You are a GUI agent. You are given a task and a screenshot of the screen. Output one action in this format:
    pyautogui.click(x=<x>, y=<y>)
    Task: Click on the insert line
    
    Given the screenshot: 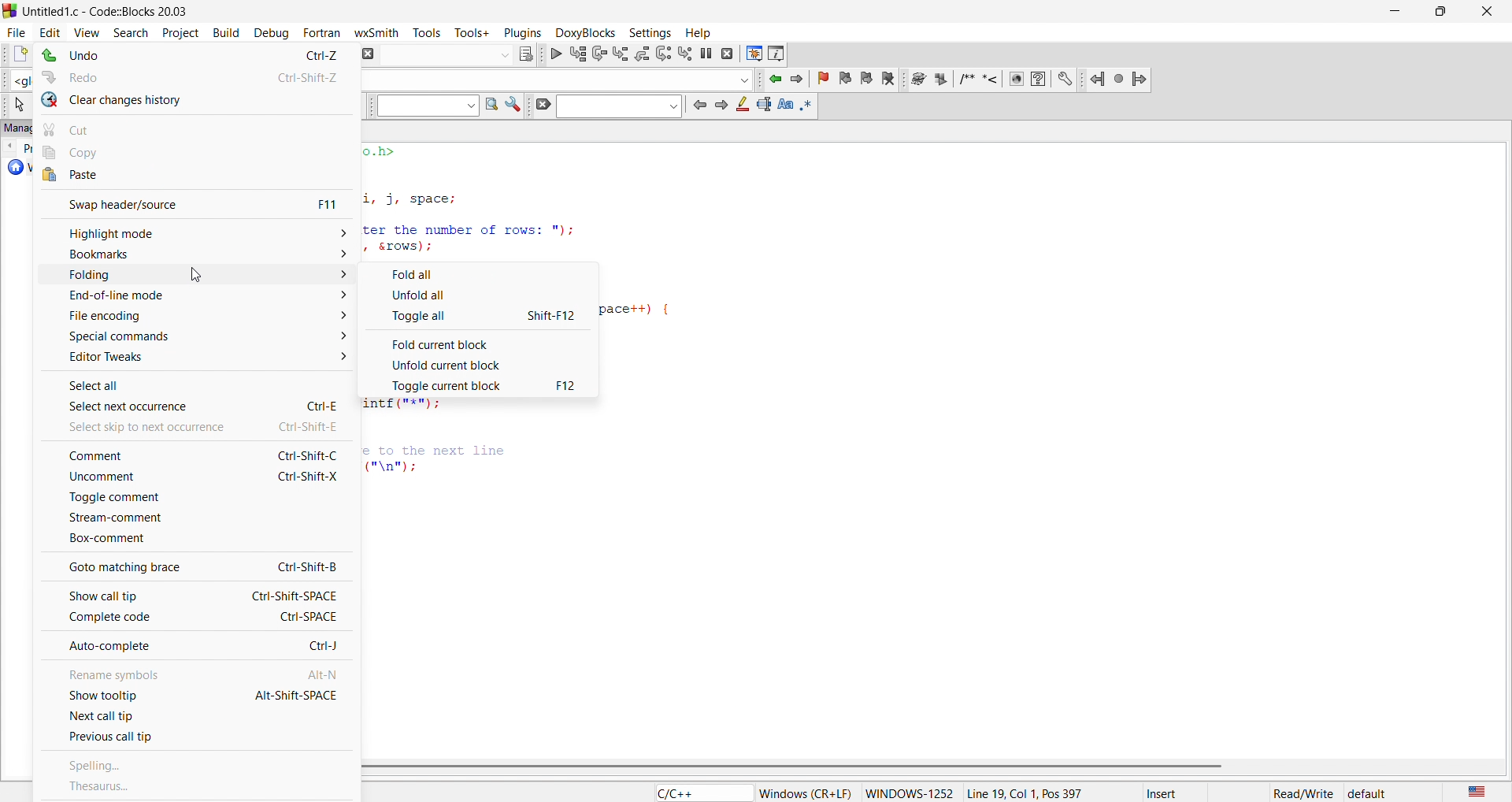 What is the action you would take?
    pyautogui.click(x=993, y=79)
    